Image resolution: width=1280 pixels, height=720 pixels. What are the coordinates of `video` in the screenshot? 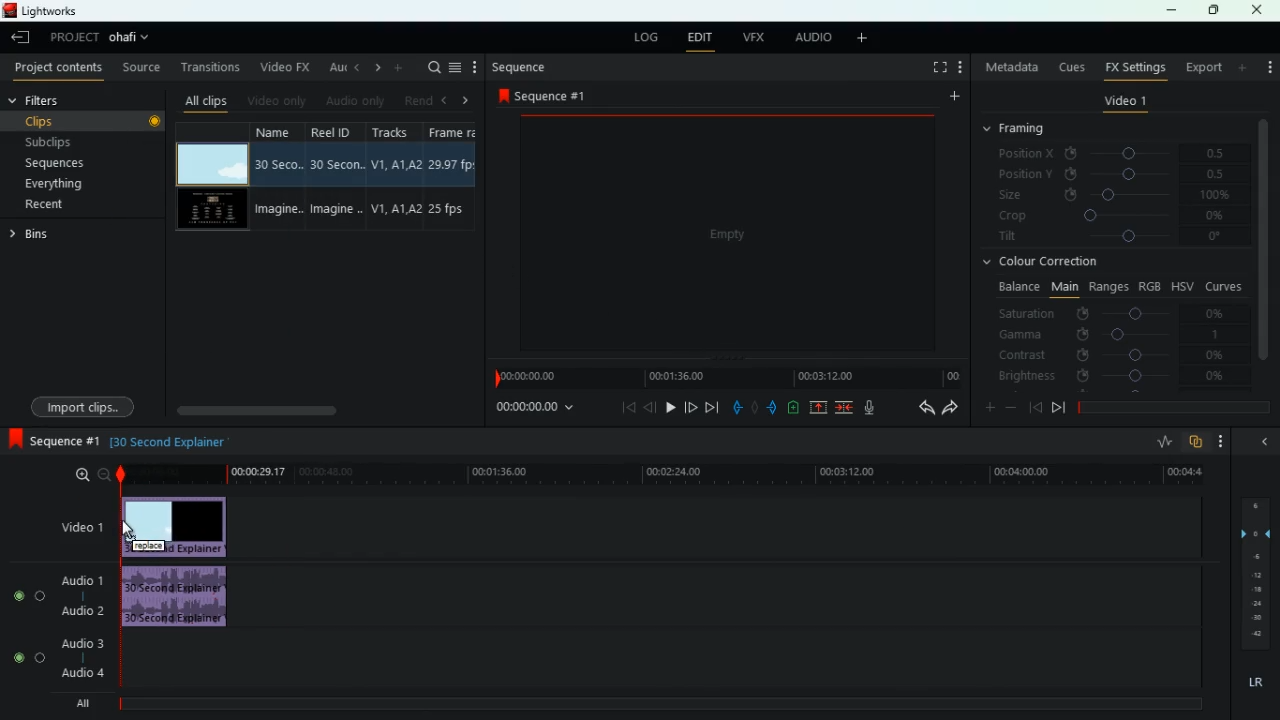 It's located at (210, 211).